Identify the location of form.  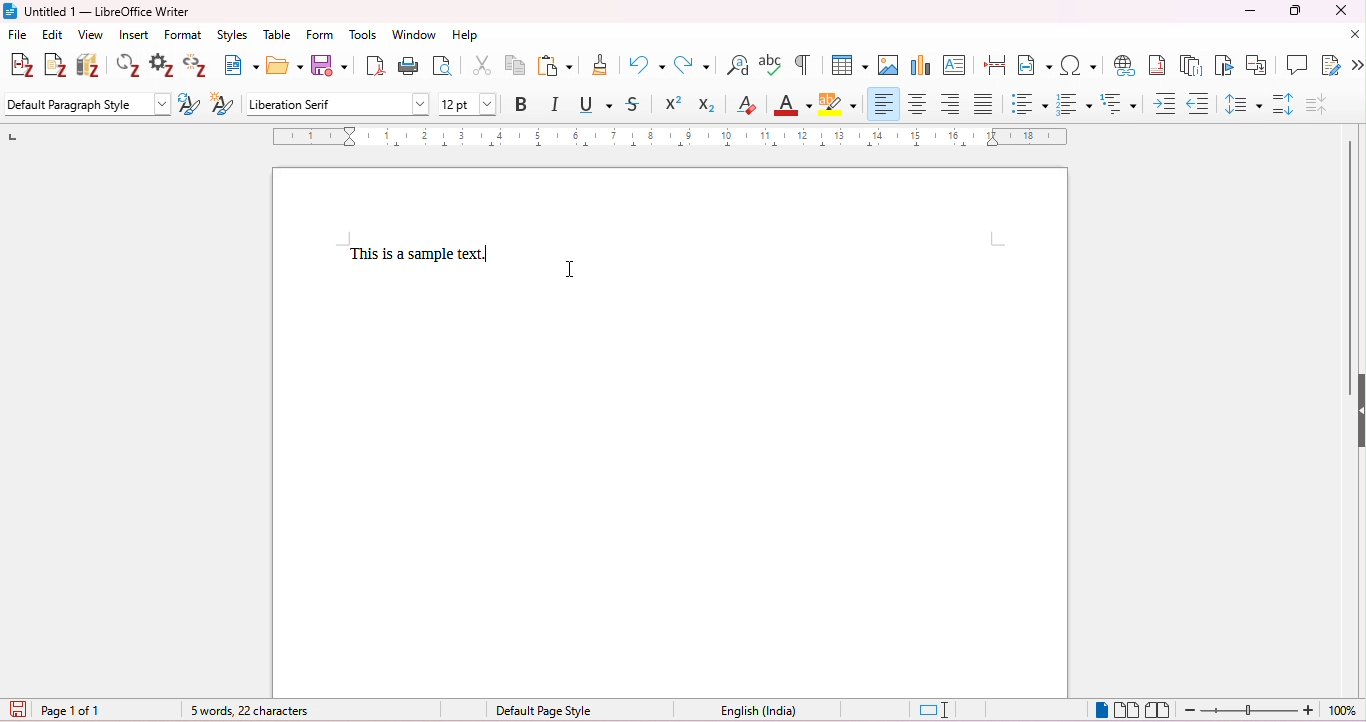
(322, 36).